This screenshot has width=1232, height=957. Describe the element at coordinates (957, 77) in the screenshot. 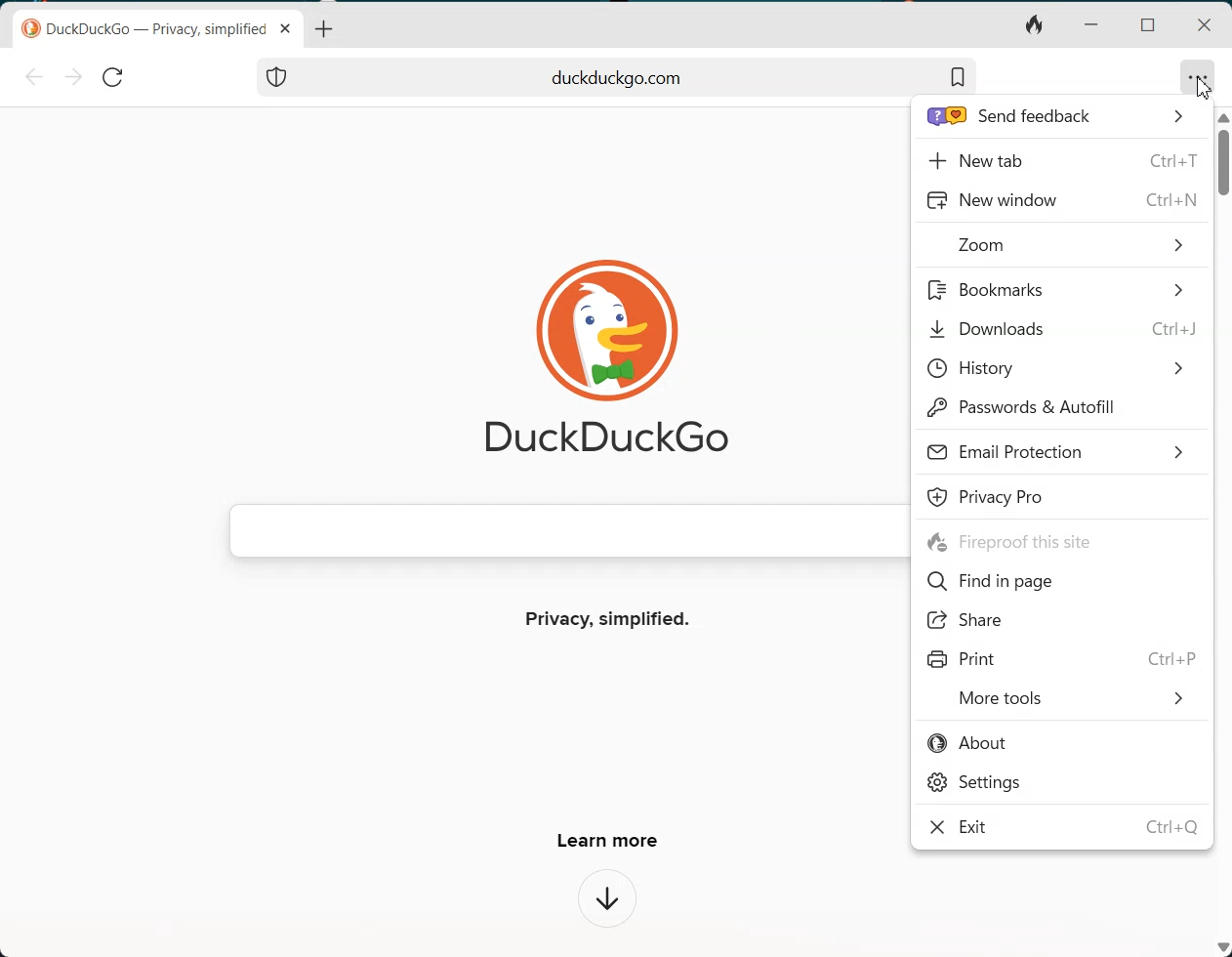

I see `Bookmark` at that location.